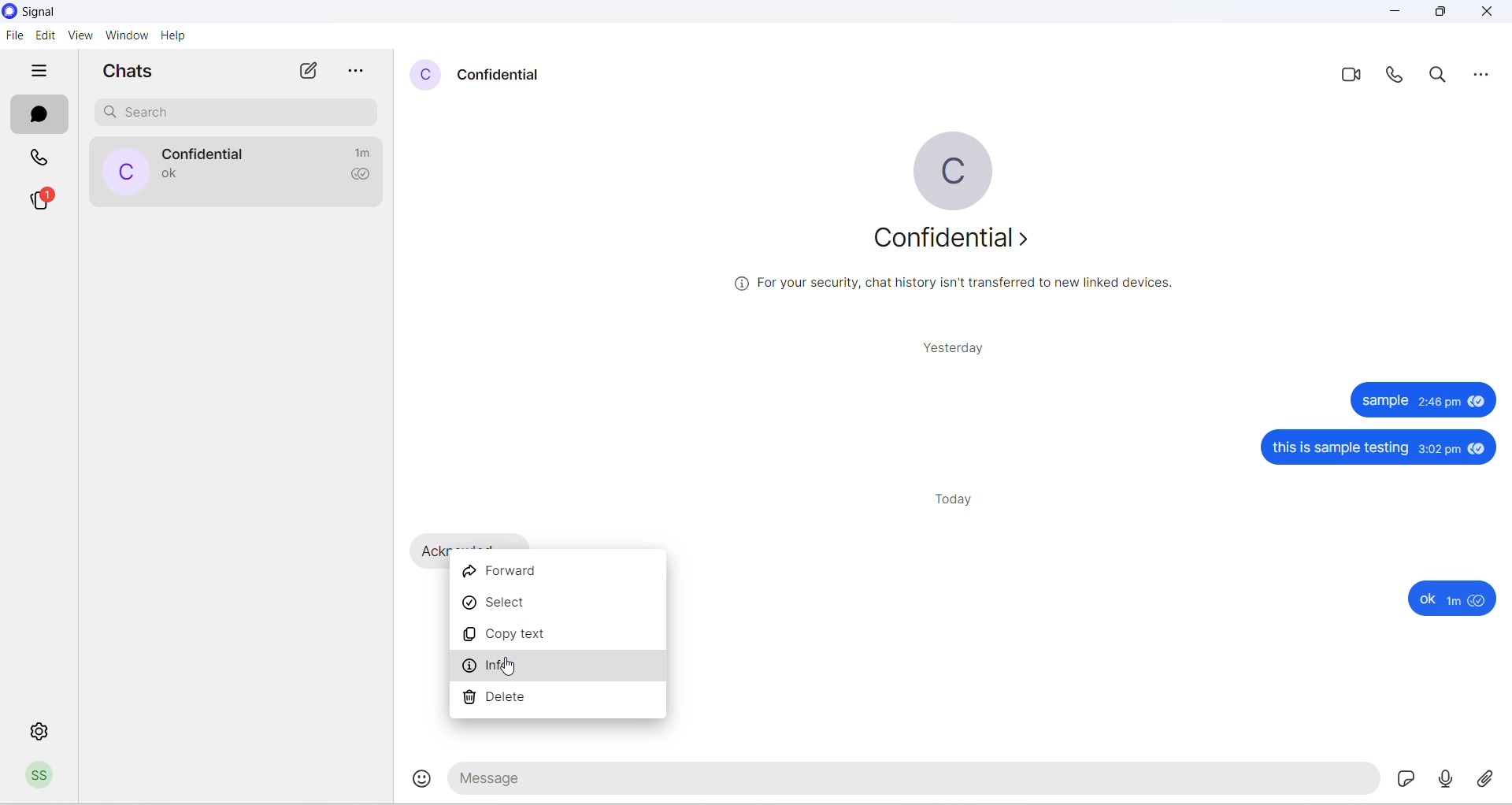  What do you see at coordinates (124, 170) in the screenshot?
I see `profile picture` at bounding box center [124, 170].